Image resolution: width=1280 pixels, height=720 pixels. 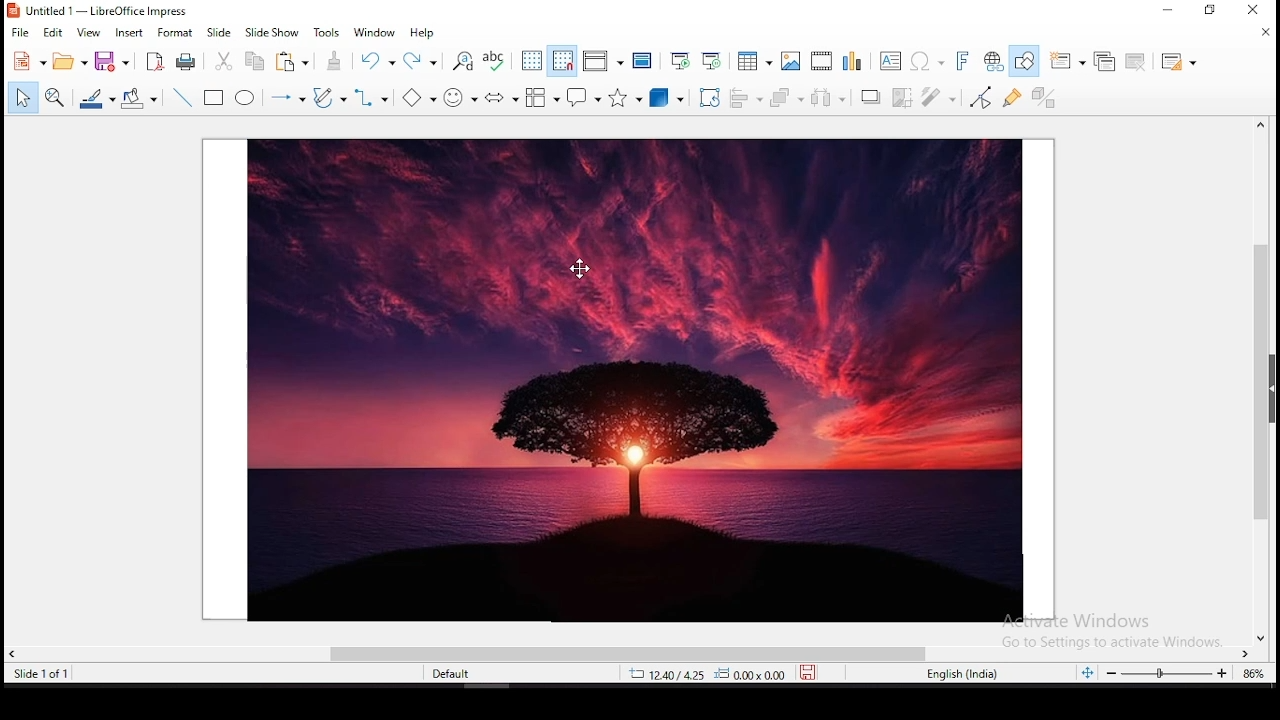 What do you see at coordinates (326, 32) in the screenshot?
I see `tools` at bounding box center [326, 32].